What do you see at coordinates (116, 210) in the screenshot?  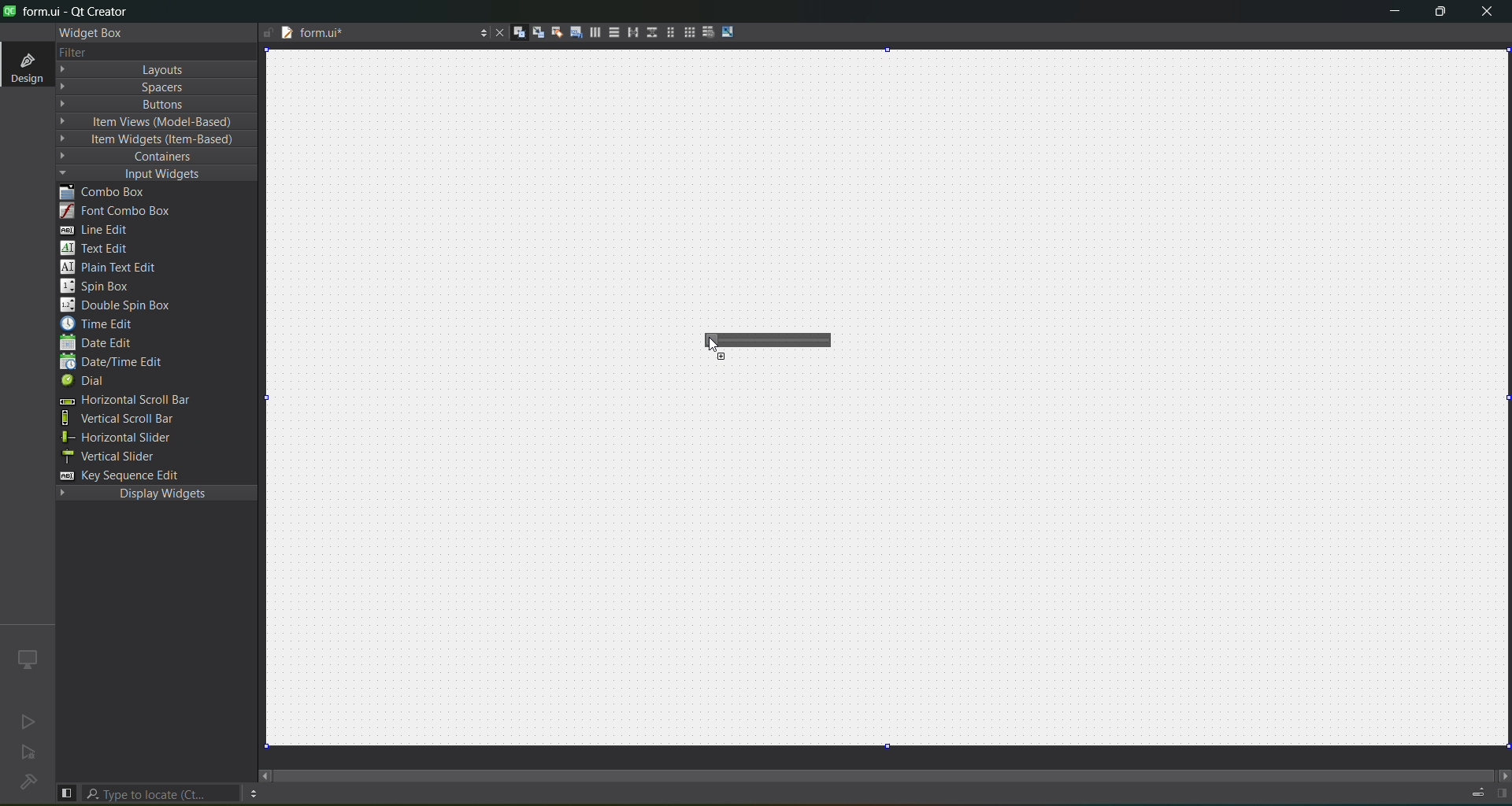 I see `font combo box` at bounding box center [116, 210].